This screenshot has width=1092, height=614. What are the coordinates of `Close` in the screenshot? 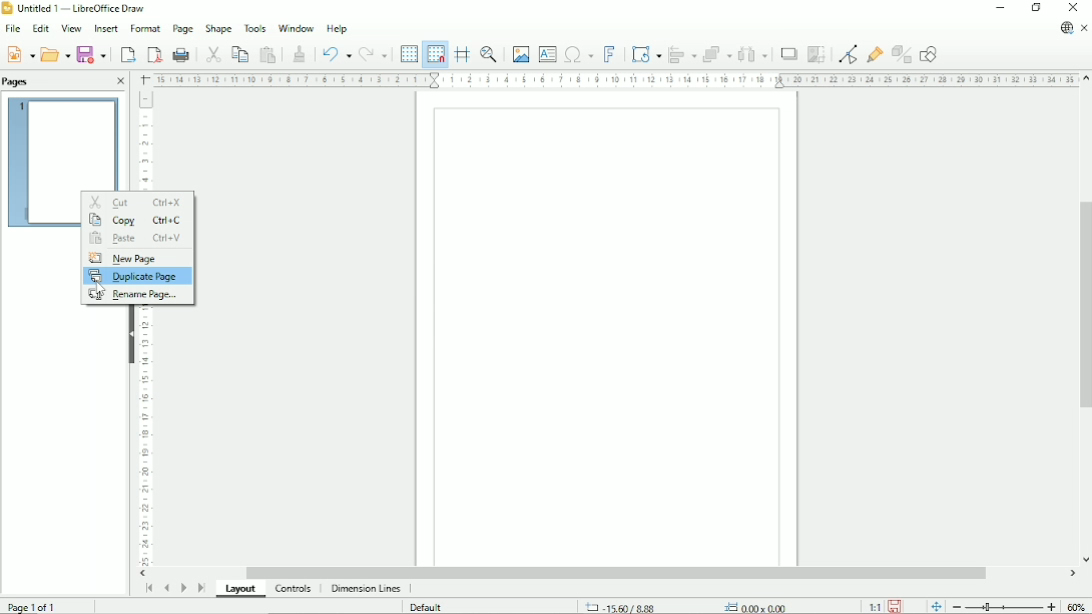 It's located at (120, 82).